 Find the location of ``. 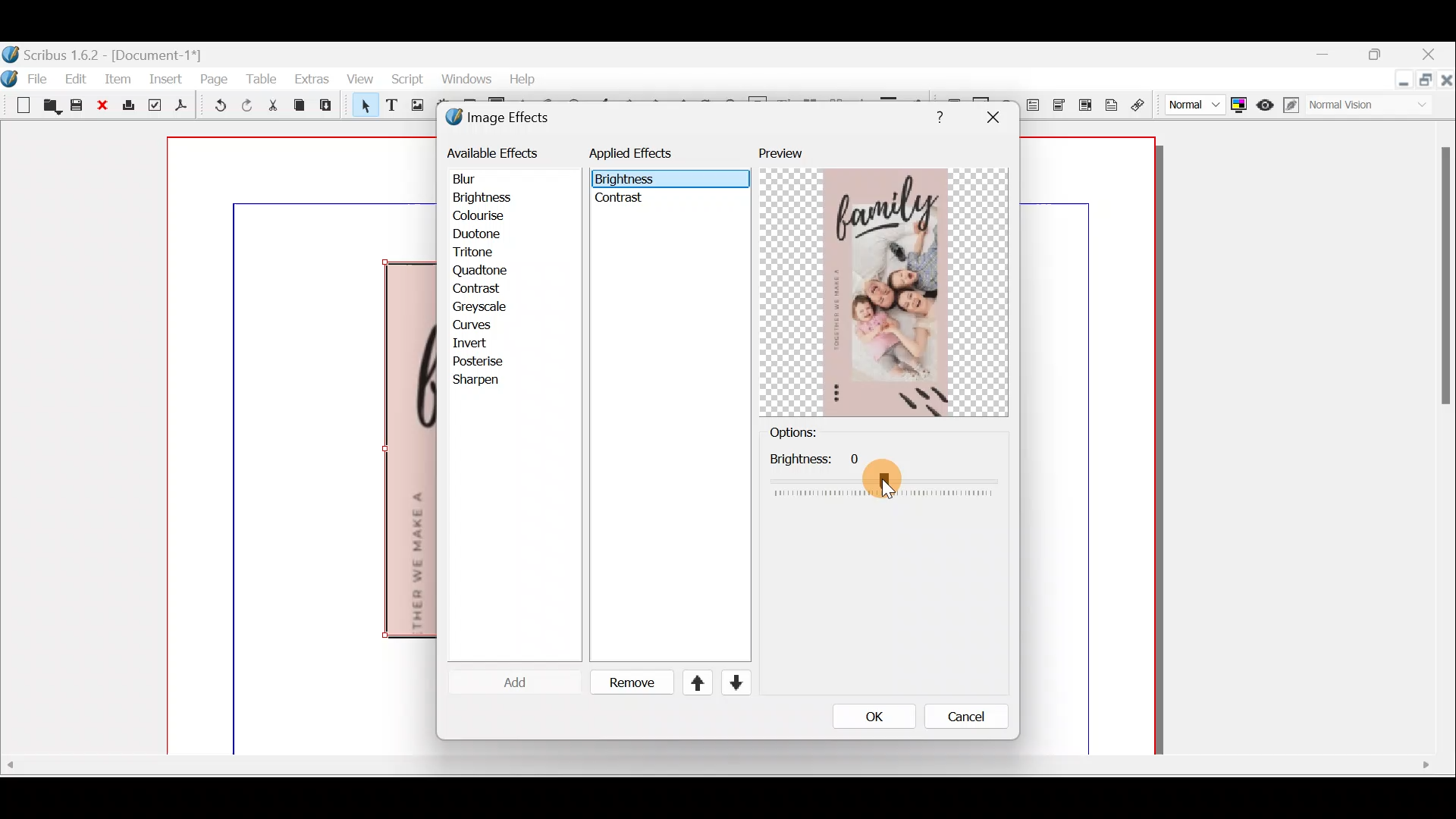

 is located at coordinates (628, 180).